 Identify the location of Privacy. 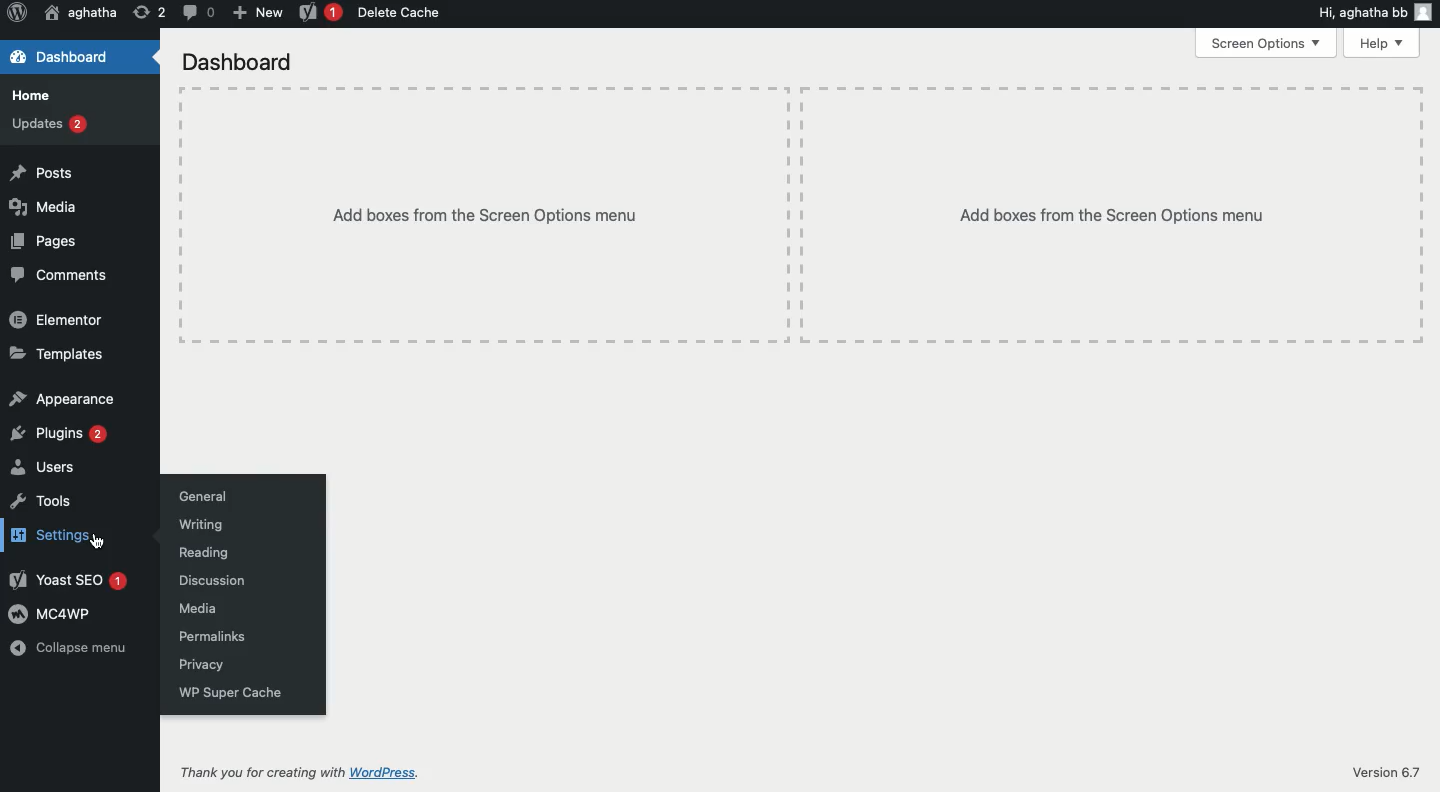
(197, 665).